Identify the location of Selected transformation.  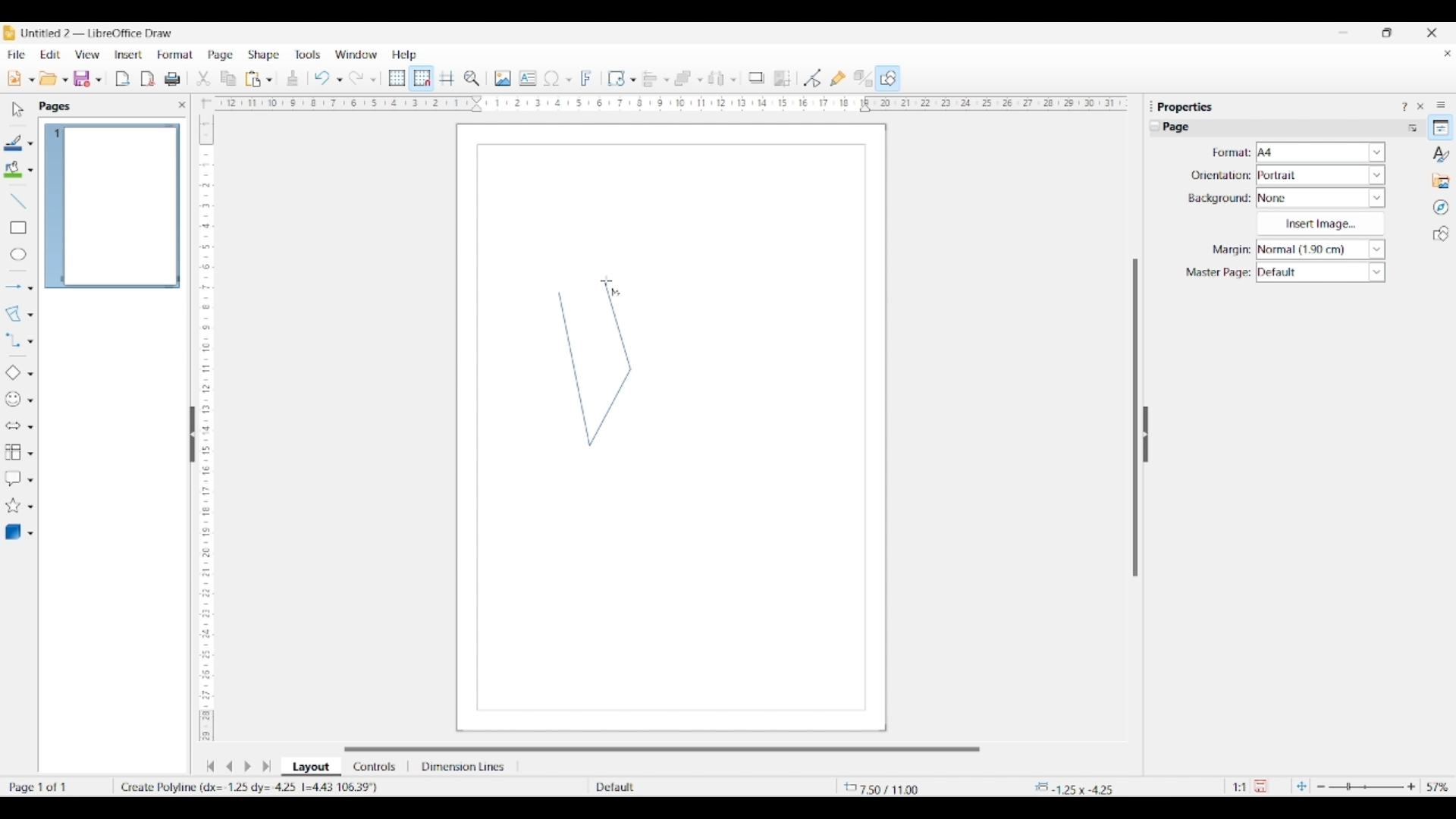
(616, 78).